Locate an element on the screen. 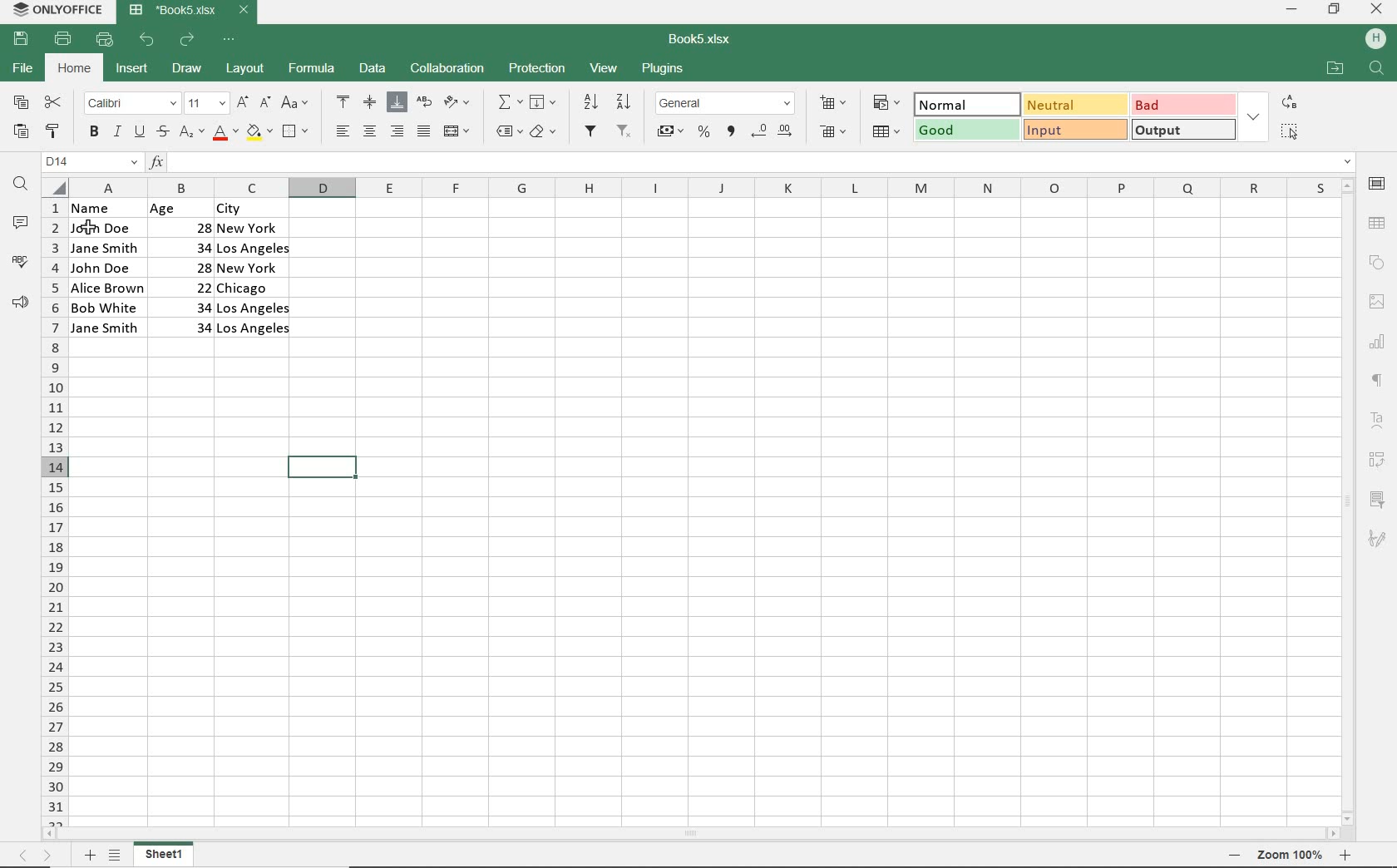 The image size is (1397, 868). SIGNATURE is located at coordinates (1377, 538).